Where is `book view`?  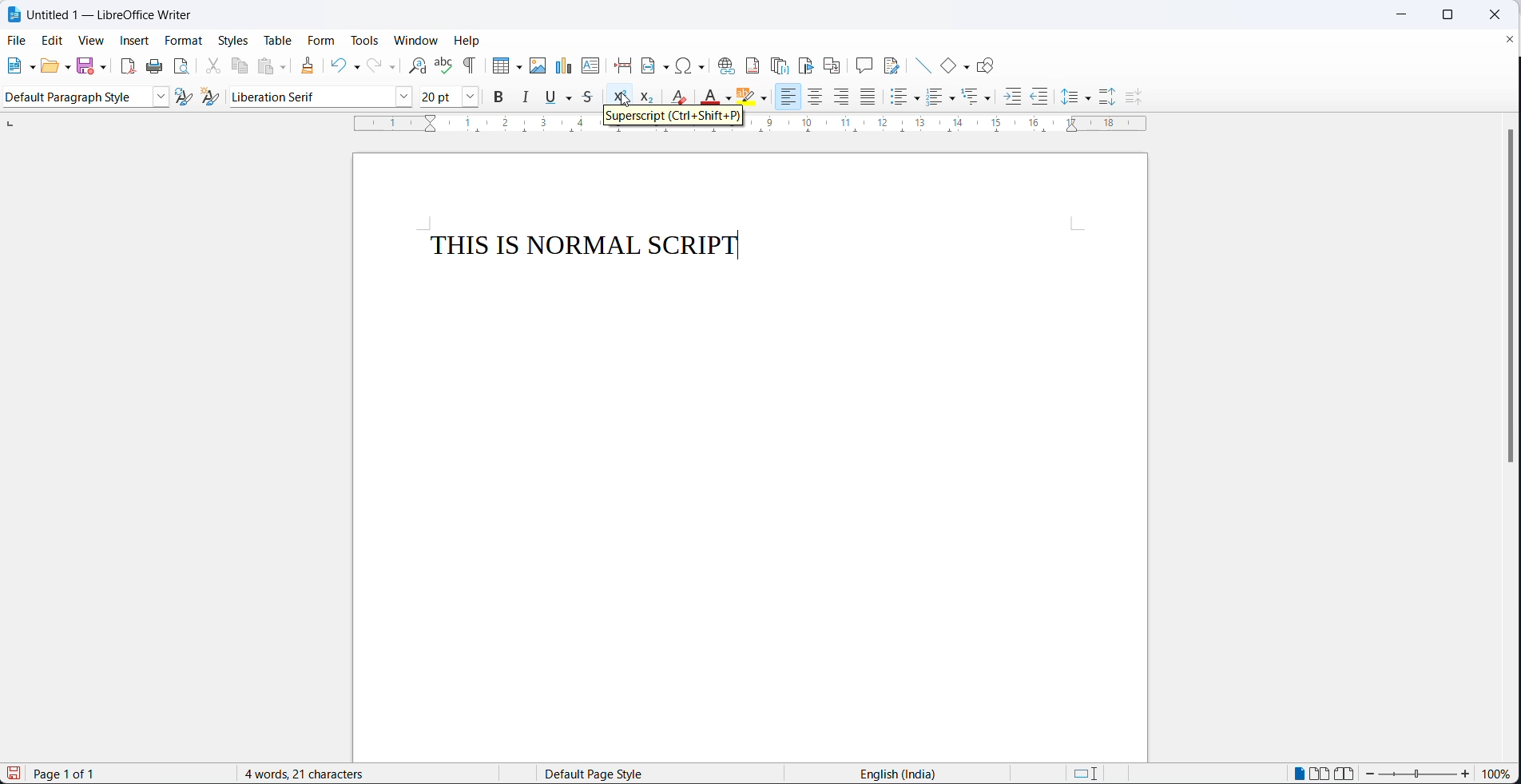 book view is located at coordinates (1348, 773).